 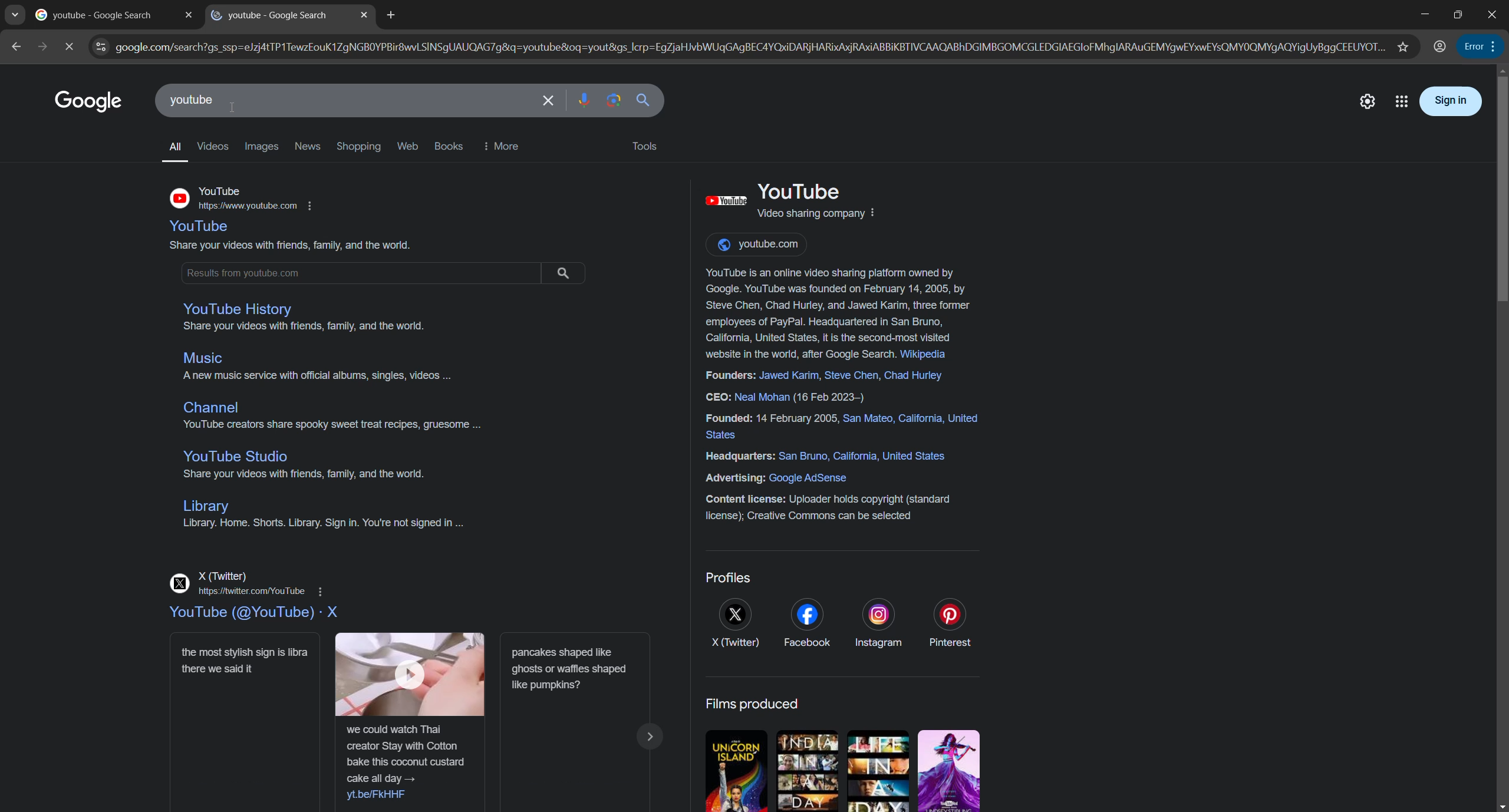 I want to click on more apps, so click(x=1400, y=101).